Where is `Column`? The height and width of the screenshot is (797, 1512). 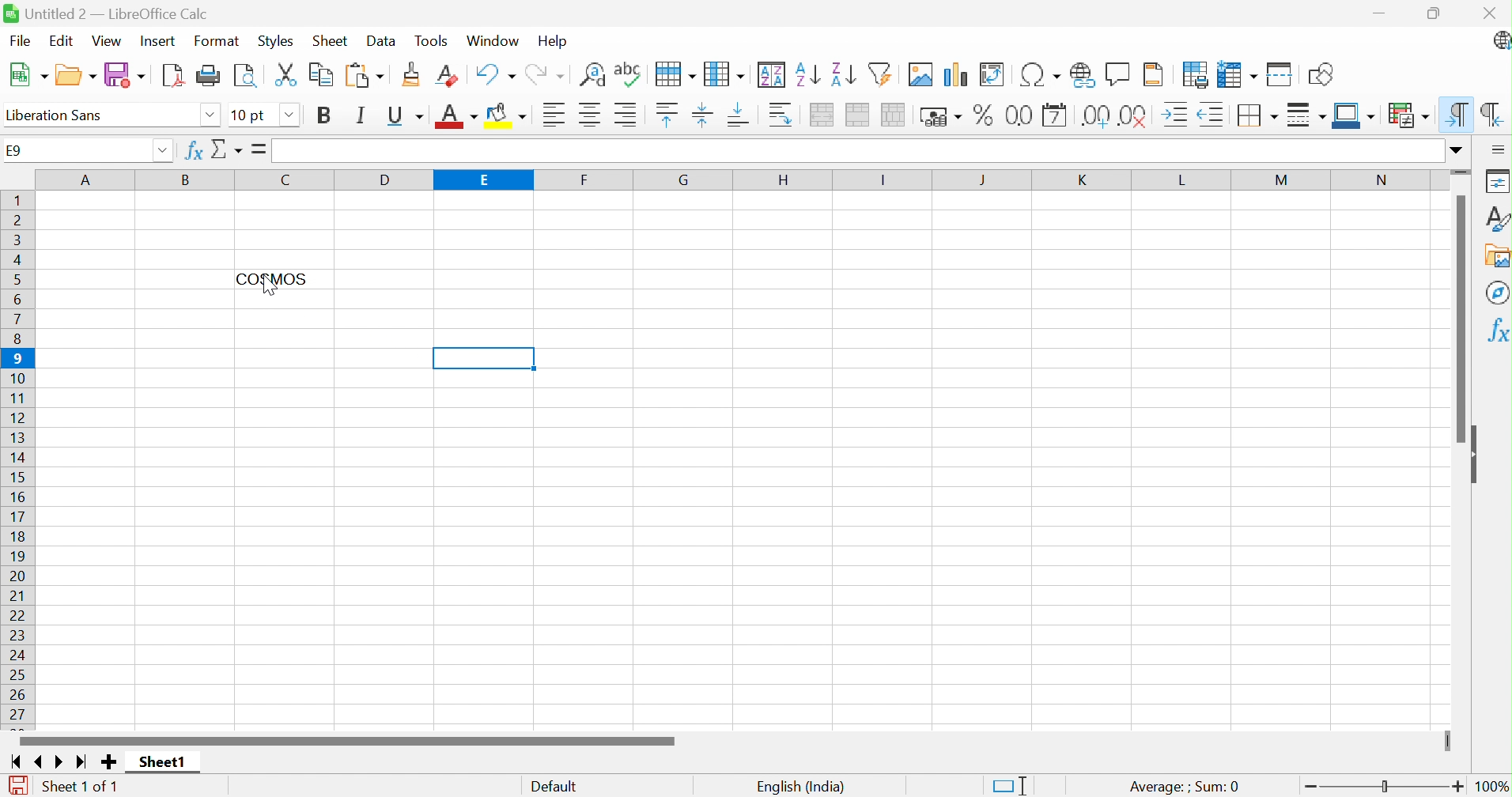 Column is located at coordinates (724, 74).